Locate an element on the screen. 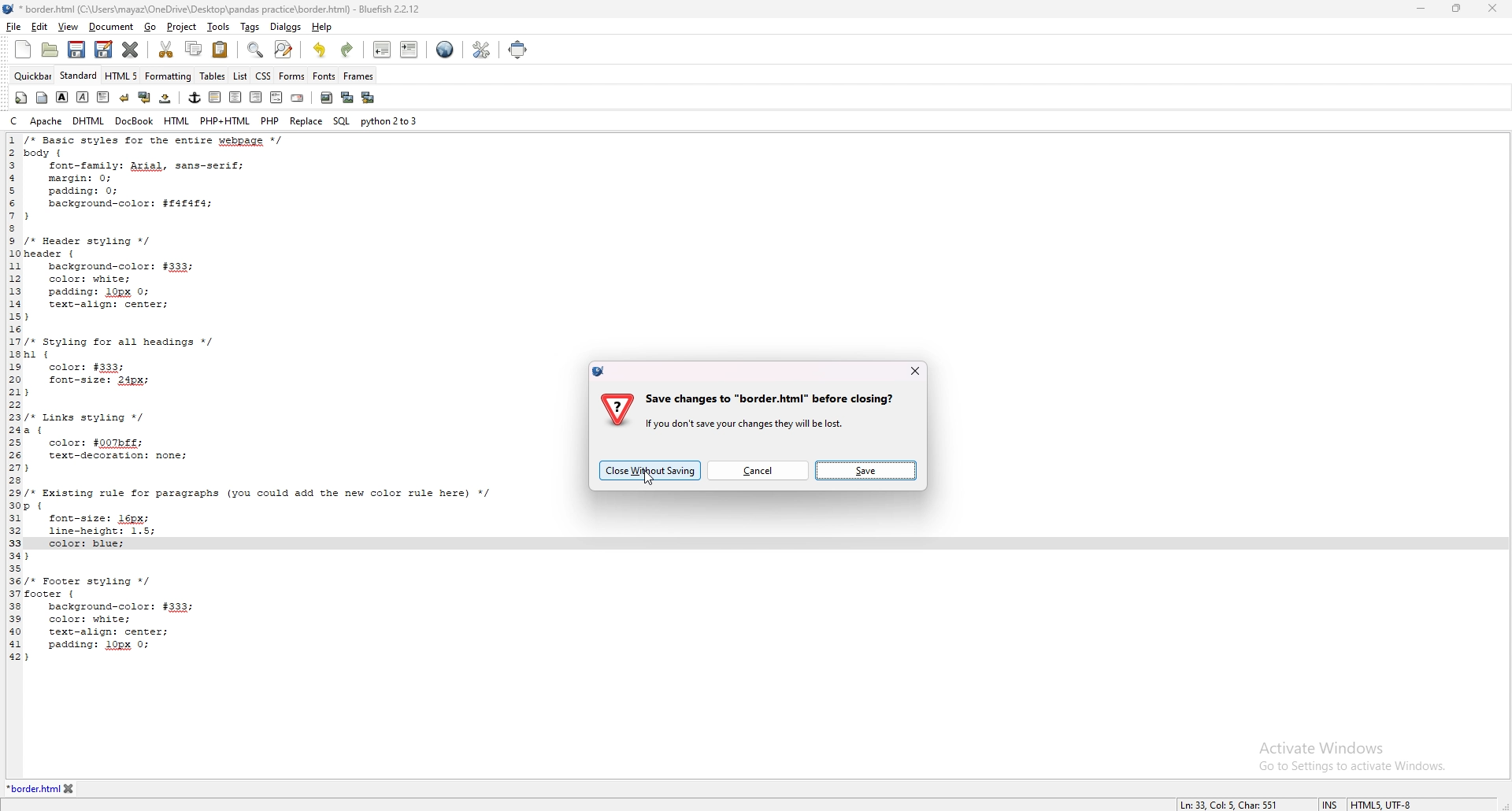 The width and height of the screenshot is (1512, 811). cursor is located at coordinates (650, 480).